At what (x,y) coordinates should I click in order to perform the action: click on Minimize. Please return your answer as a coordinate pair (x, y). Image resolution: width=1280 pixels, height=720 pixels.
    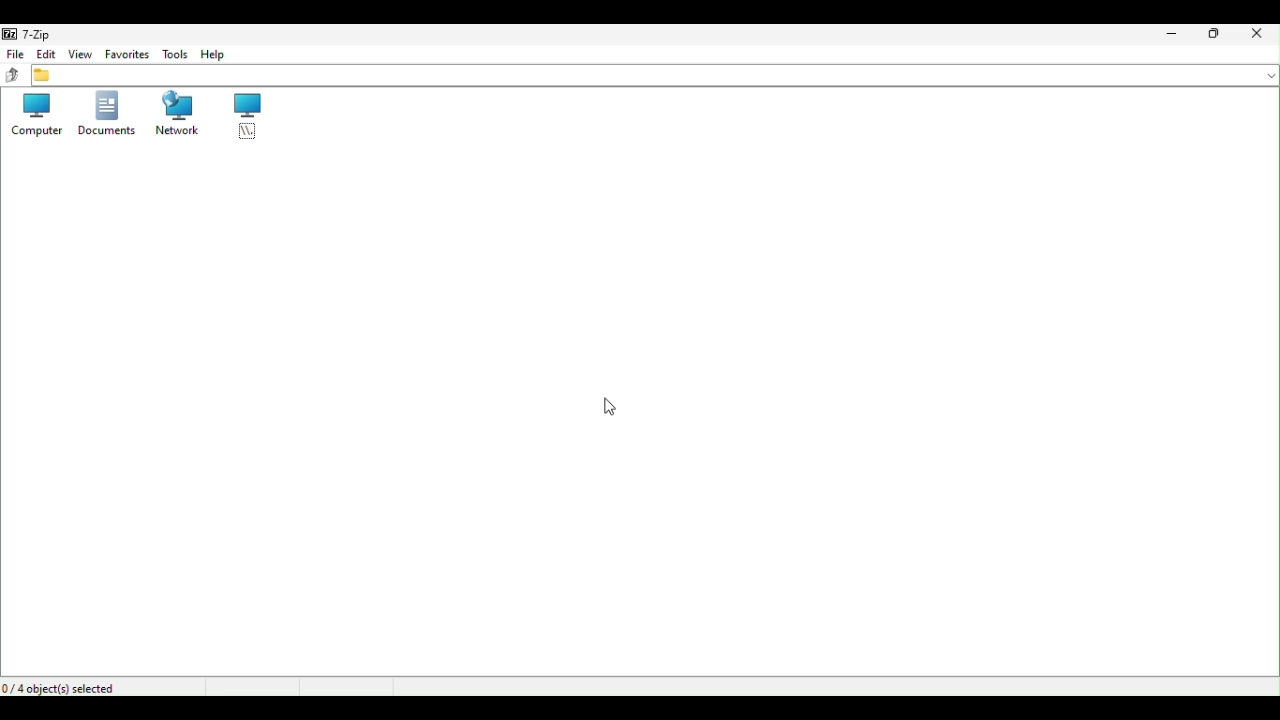
    Looking at the image, I should click on (1174, 34).